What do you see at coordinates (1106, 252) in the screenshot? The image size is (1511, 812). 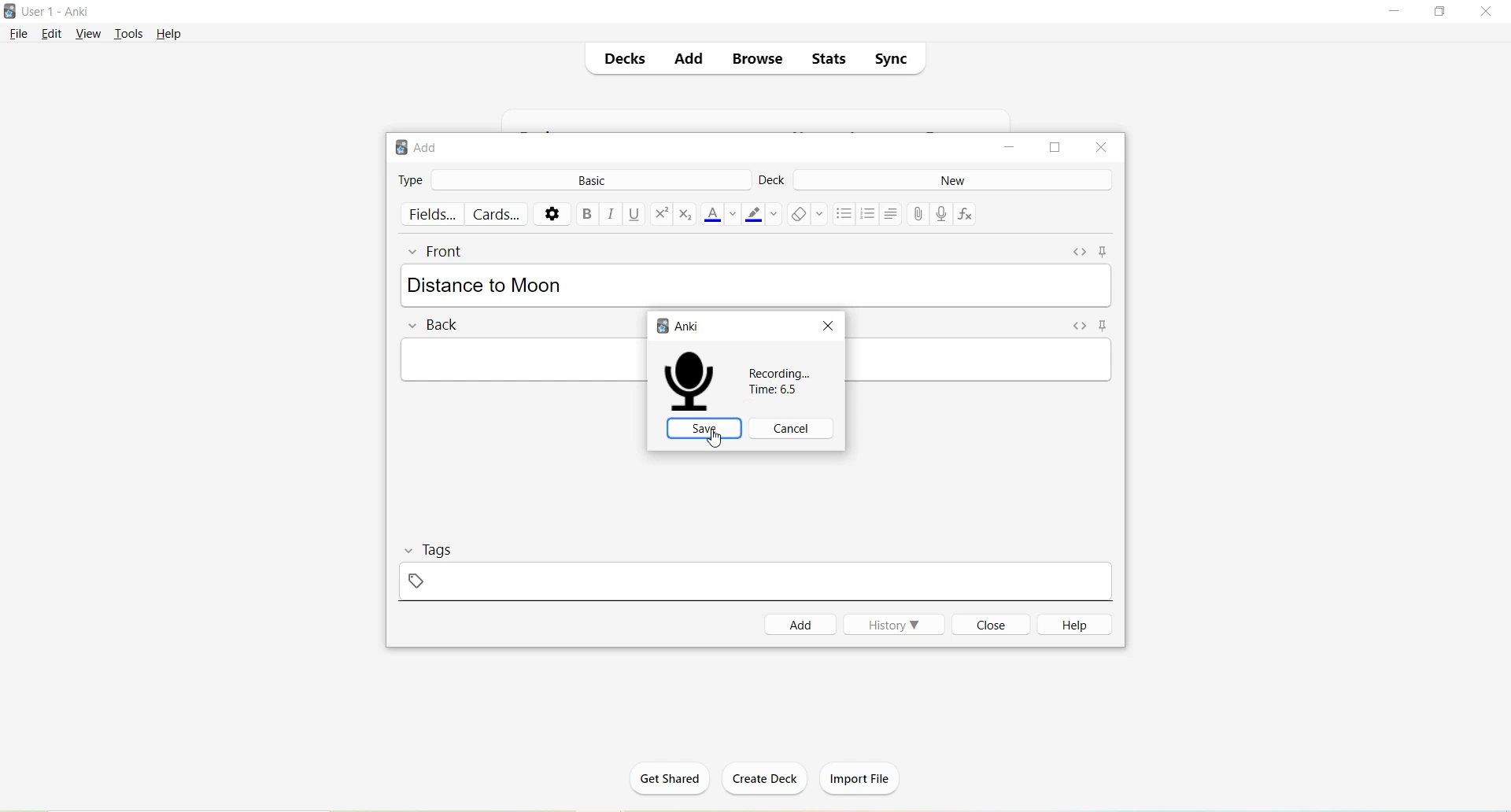 I see `Toggle sticky` at bounding box center [1106, 252].